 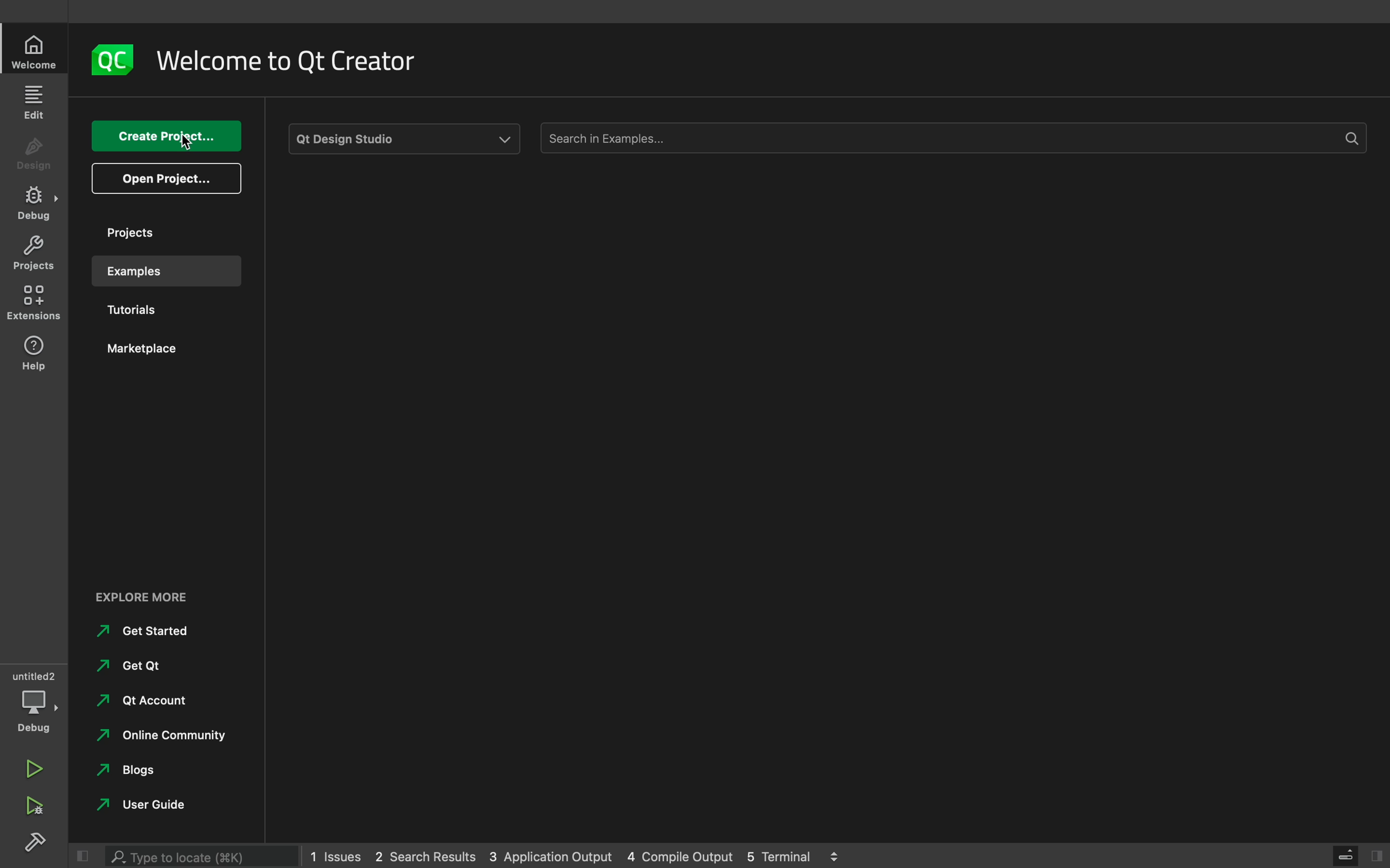 I want to click on open, so click(x=167, y=179).